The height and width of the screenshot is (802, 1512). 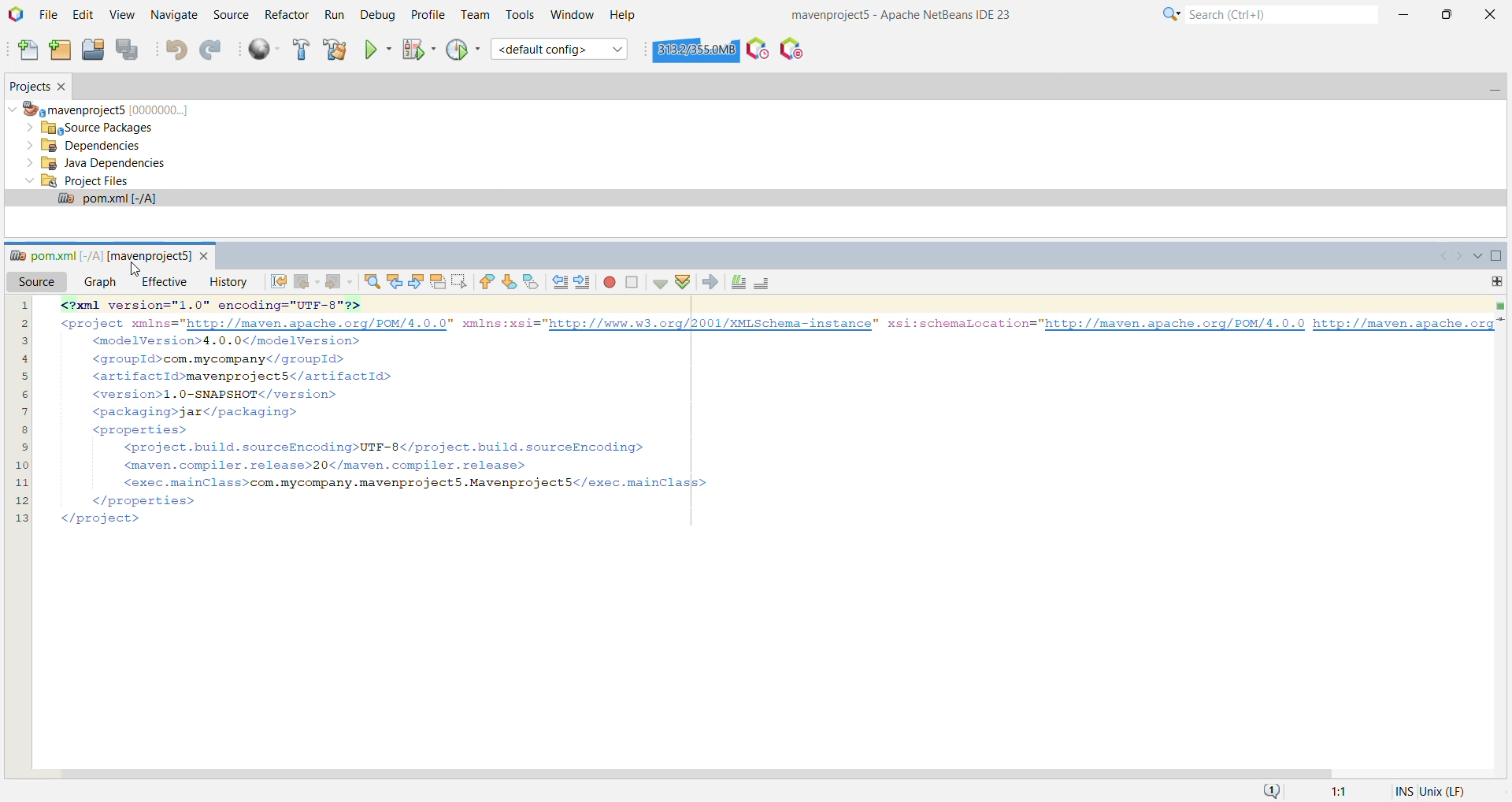 What do you see at coordinates (632, 283) in the screenshot?
I see `Stop Macro Recording` at bounding box center [632, 283].